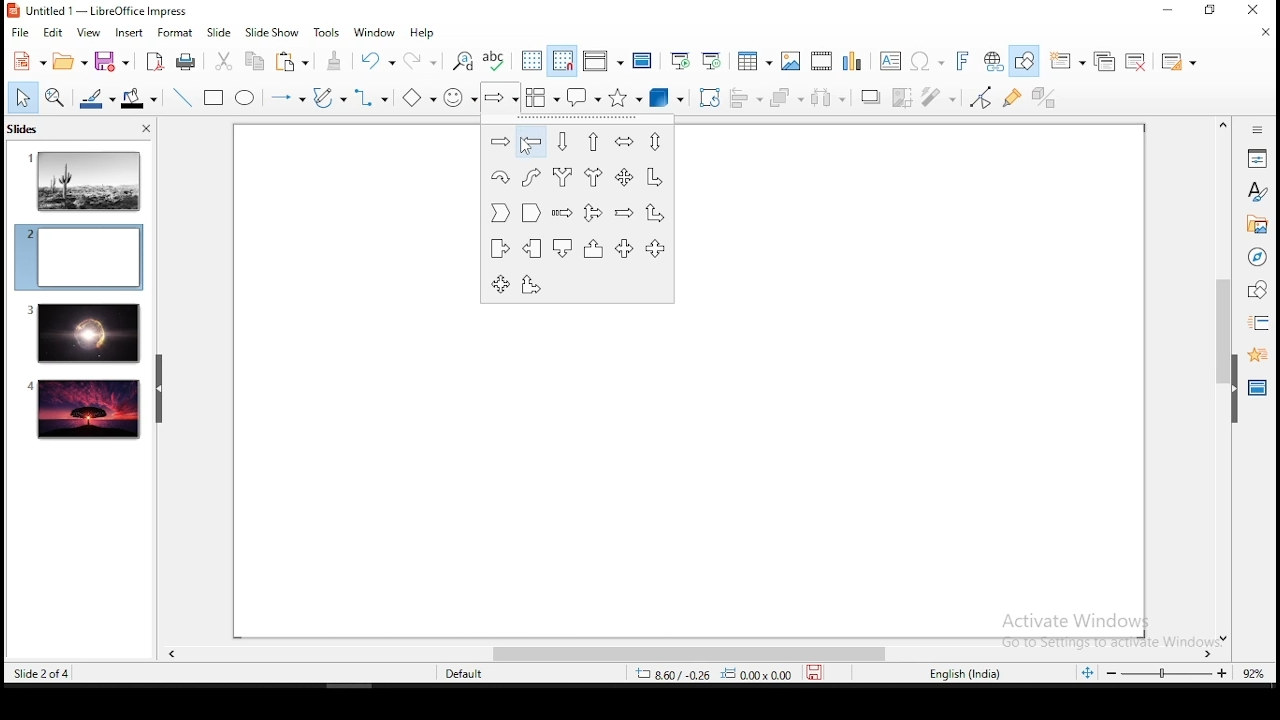 This screenshot has height=720, width=1280. Describe the element at coordinates (466, 674) in the screenshot. I see `default` at that location.